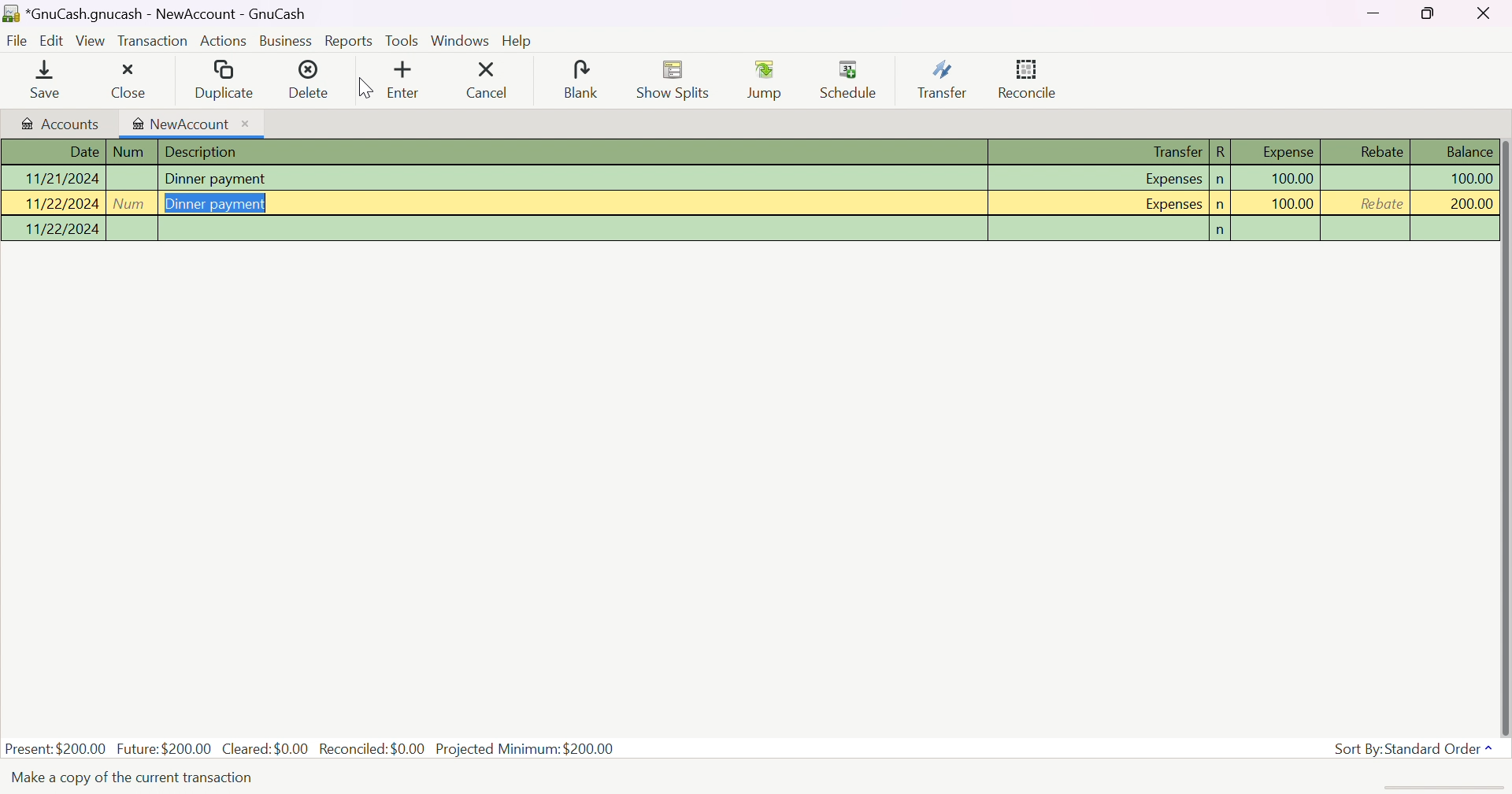  Describe the element at coordinates (486, 80) in the screenshot. I see `Cancel` at that location.